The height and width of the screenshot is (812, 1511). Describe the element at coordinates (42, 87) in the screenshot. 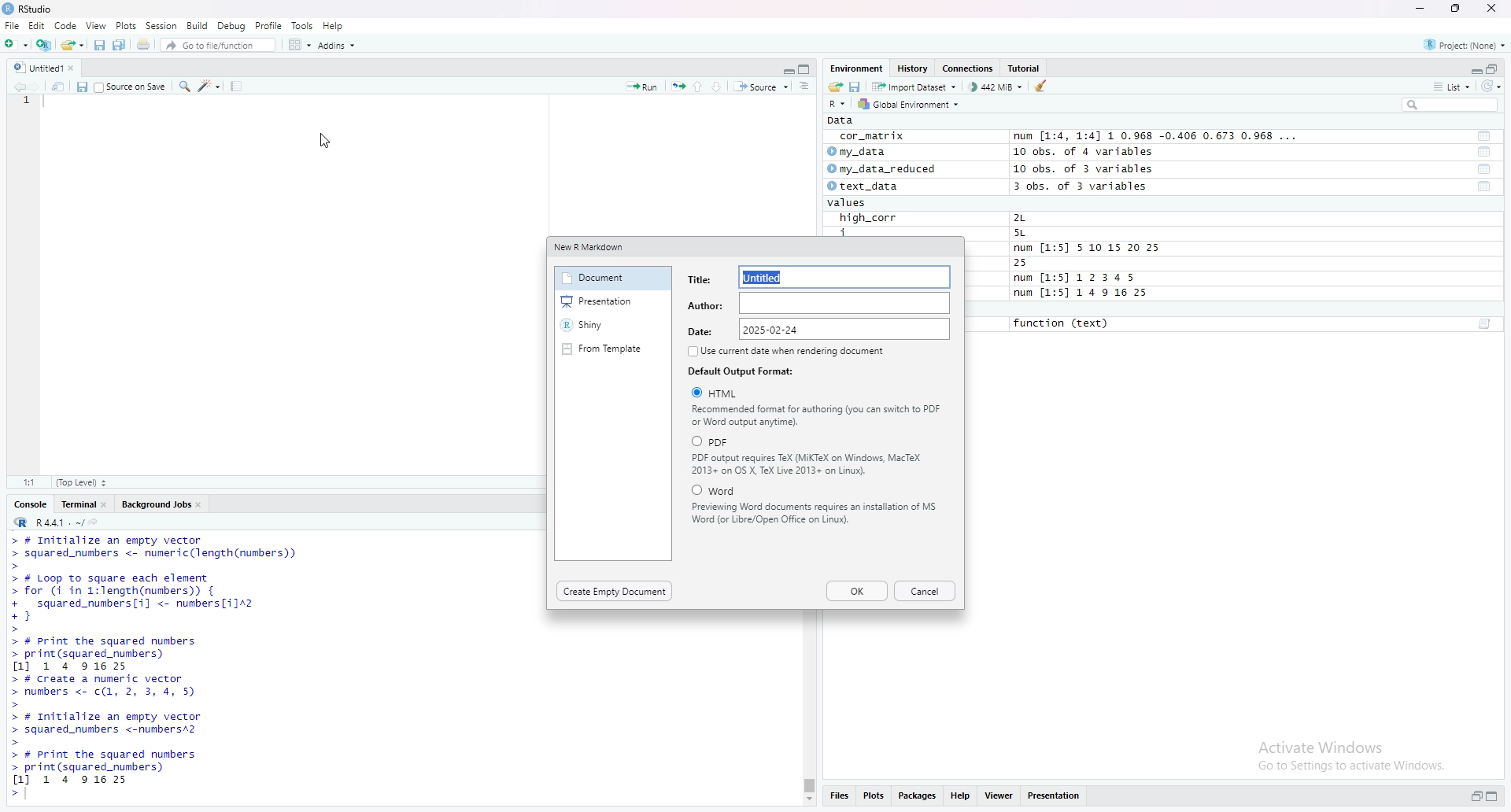

I see `Move forward` at that location.